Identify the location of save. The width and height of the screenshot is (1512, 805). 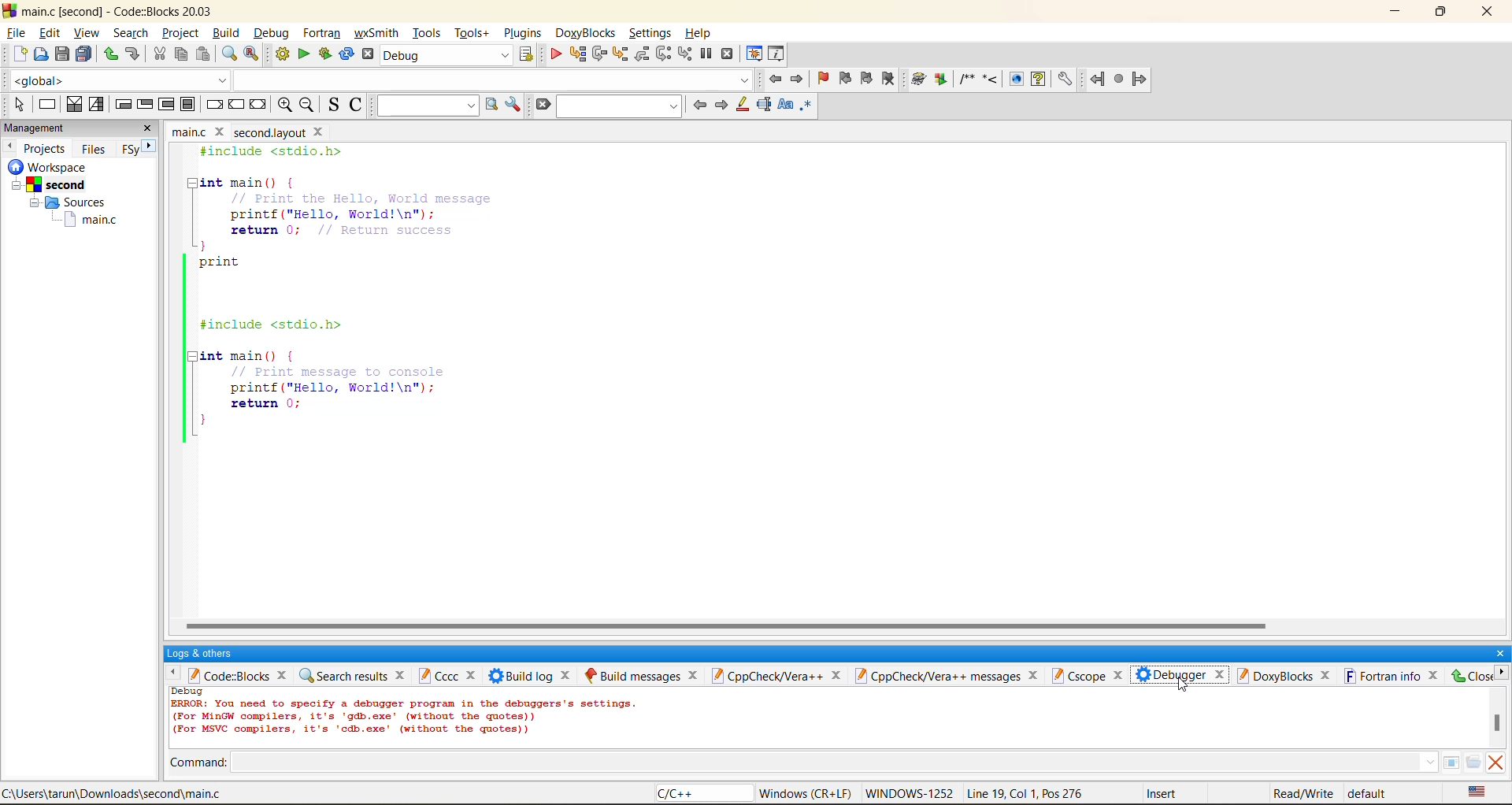
(59, 53).